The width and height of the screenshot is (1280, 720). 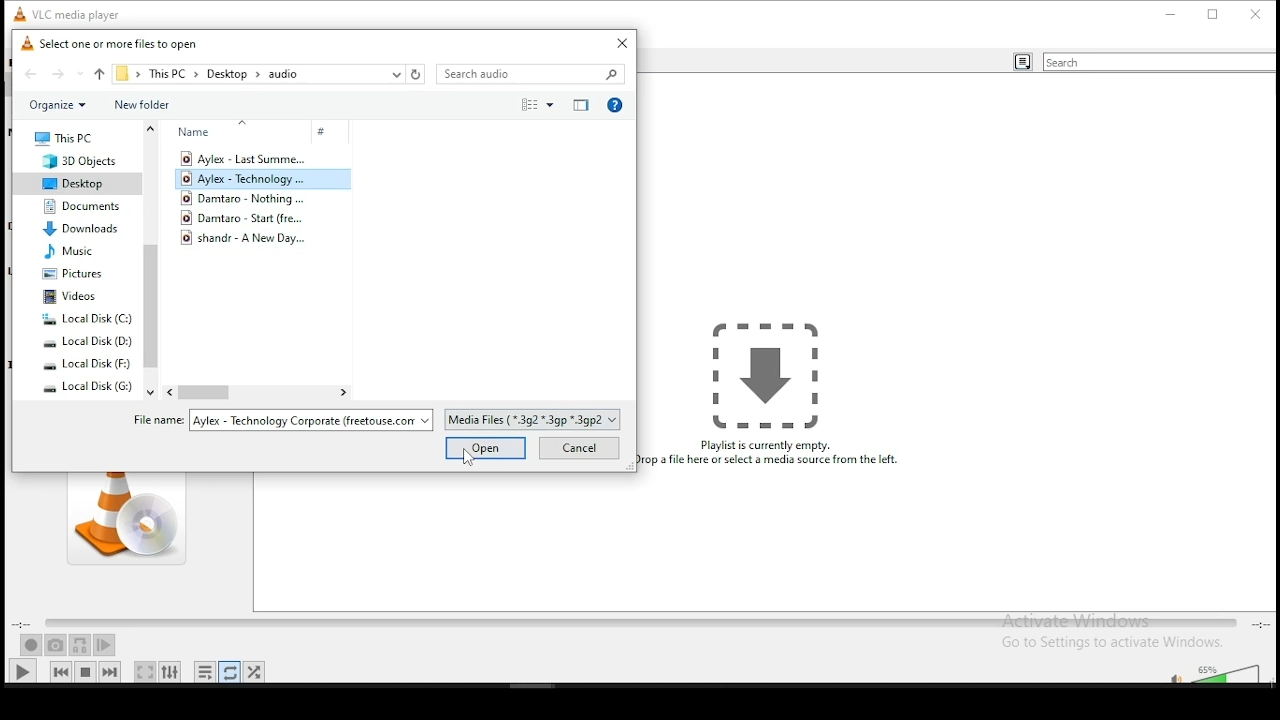 What do you see at coordinates (486, 448) in the screenshot?
I see `open` at bounding box center [486, 448].